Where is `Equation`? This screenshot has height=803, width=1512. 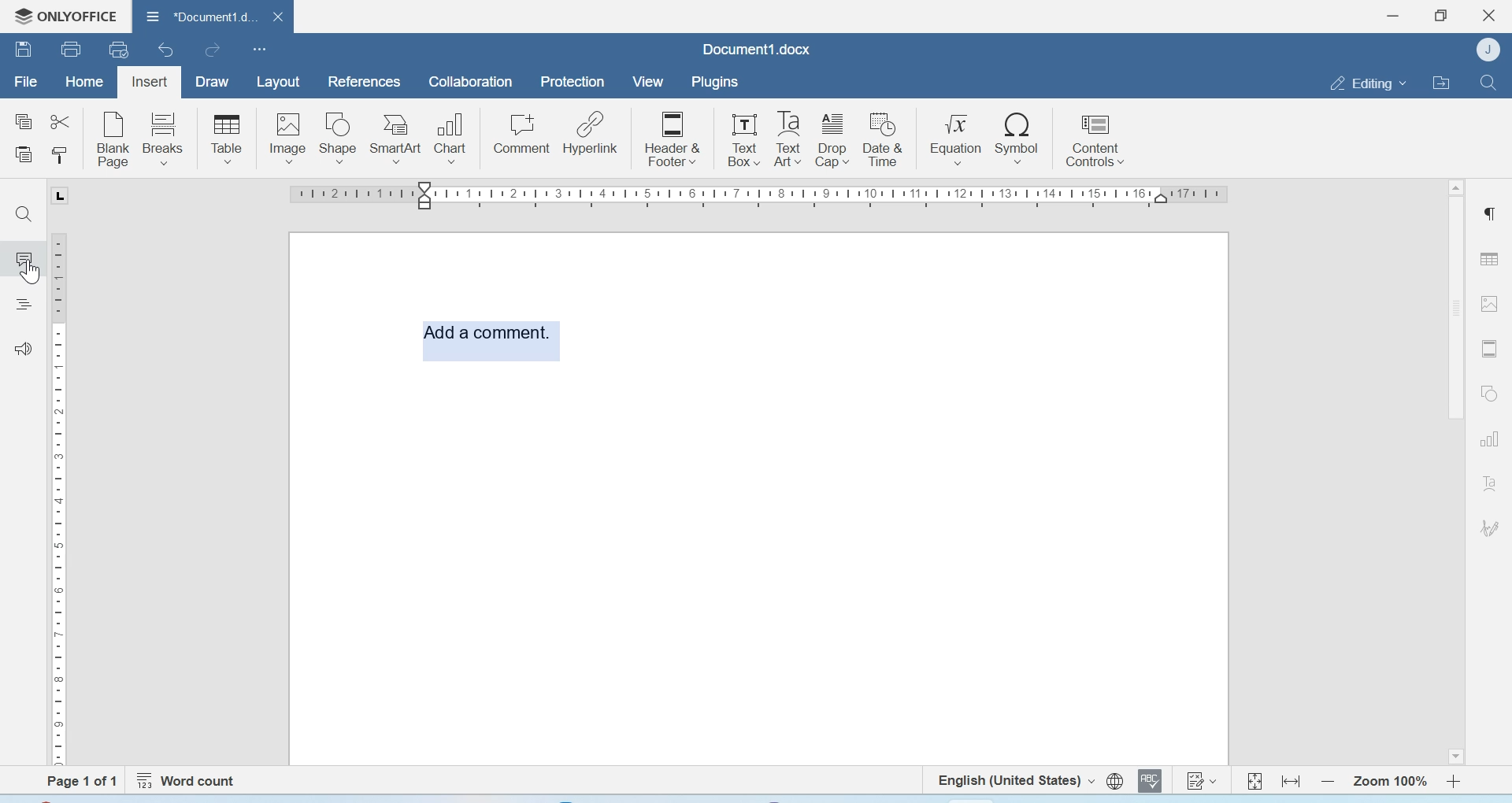 Equation is located at coordinates (956, 137).